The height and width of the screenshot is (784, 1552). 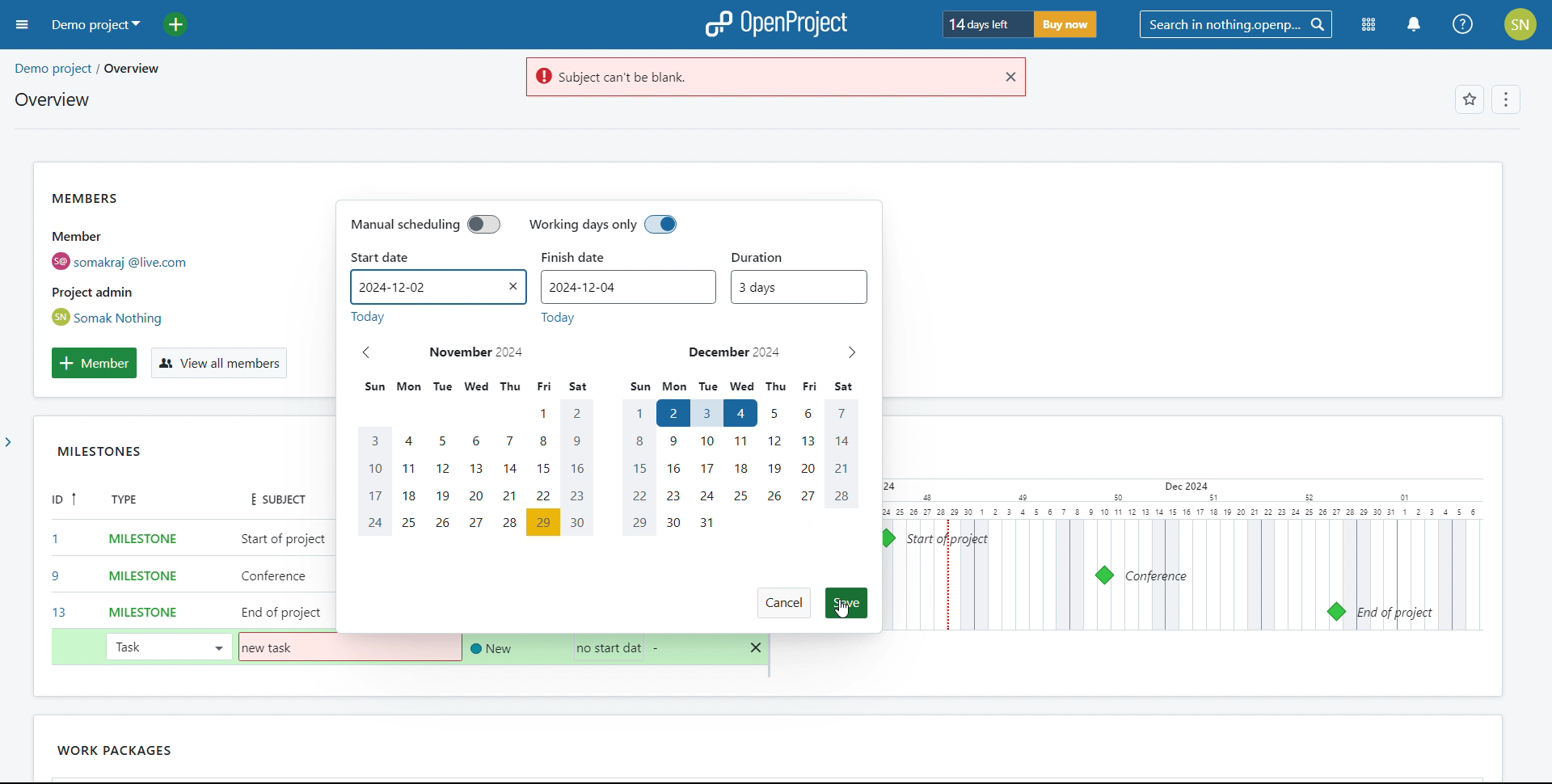 I want to click on subject, so click(x=272, y=498).